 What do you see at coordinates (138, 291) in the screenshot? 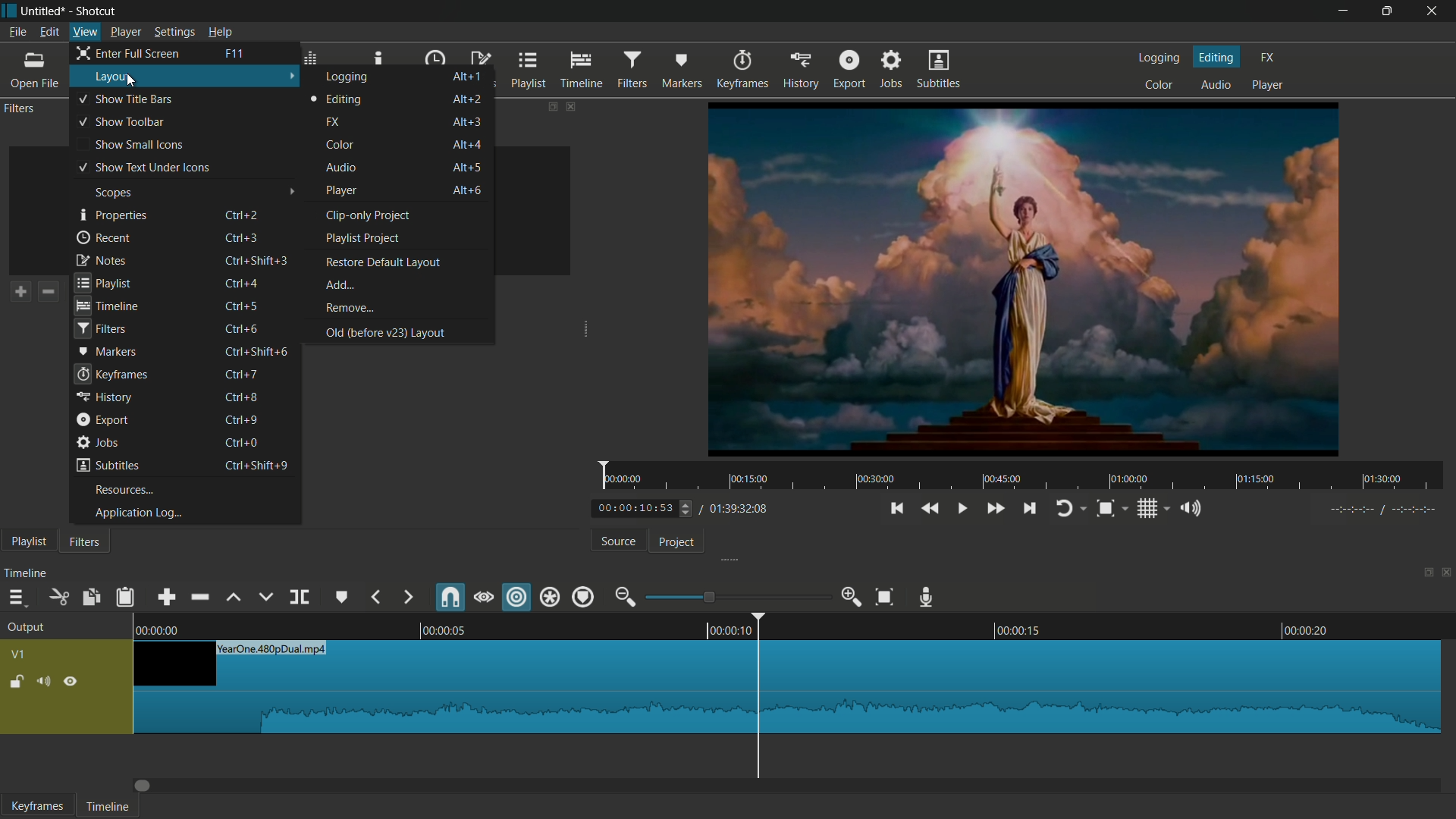
I see `save filter set` at bounding box center [138, 291].